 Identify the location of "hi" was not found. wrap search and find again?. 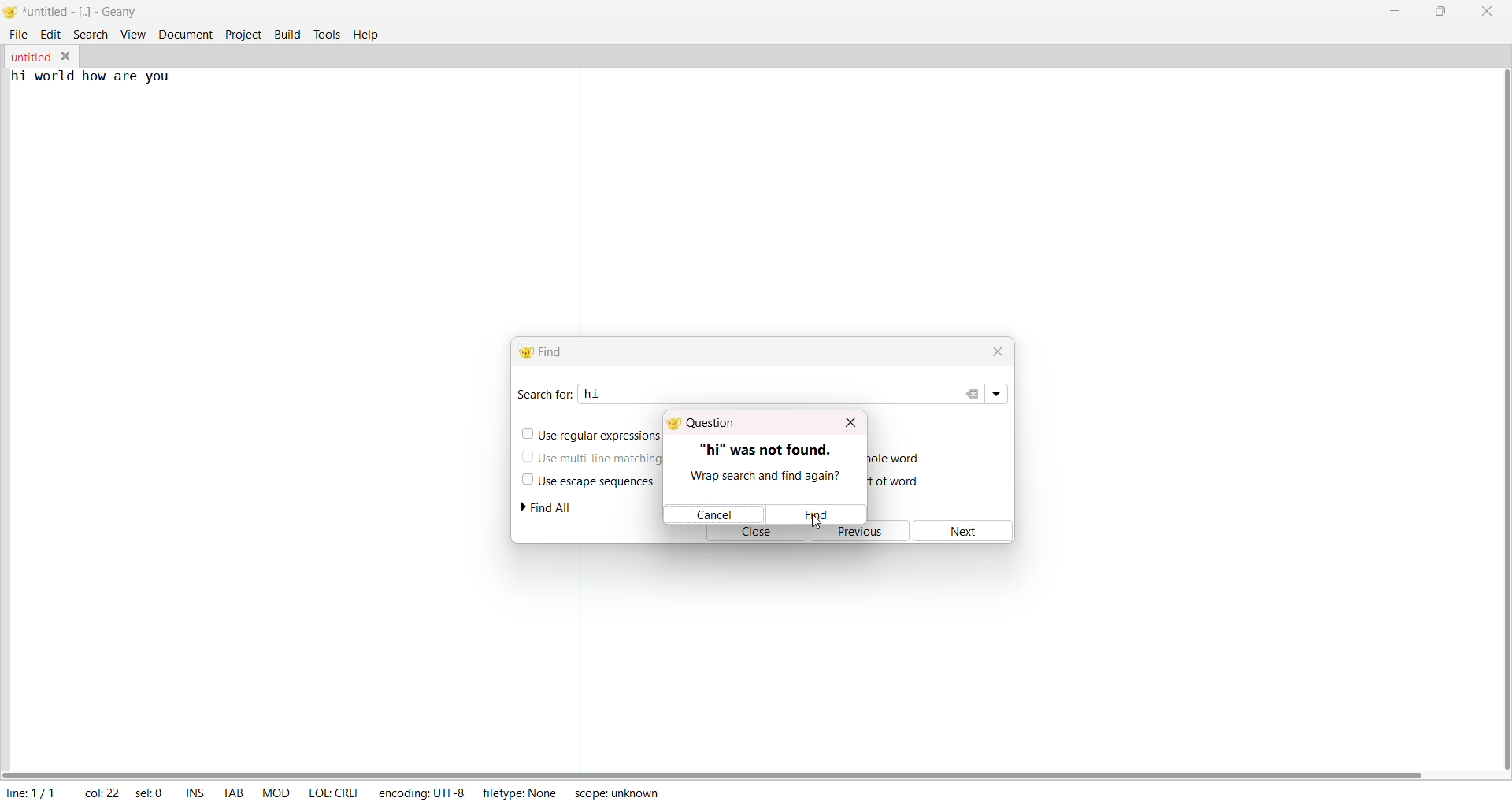
(765, 465).